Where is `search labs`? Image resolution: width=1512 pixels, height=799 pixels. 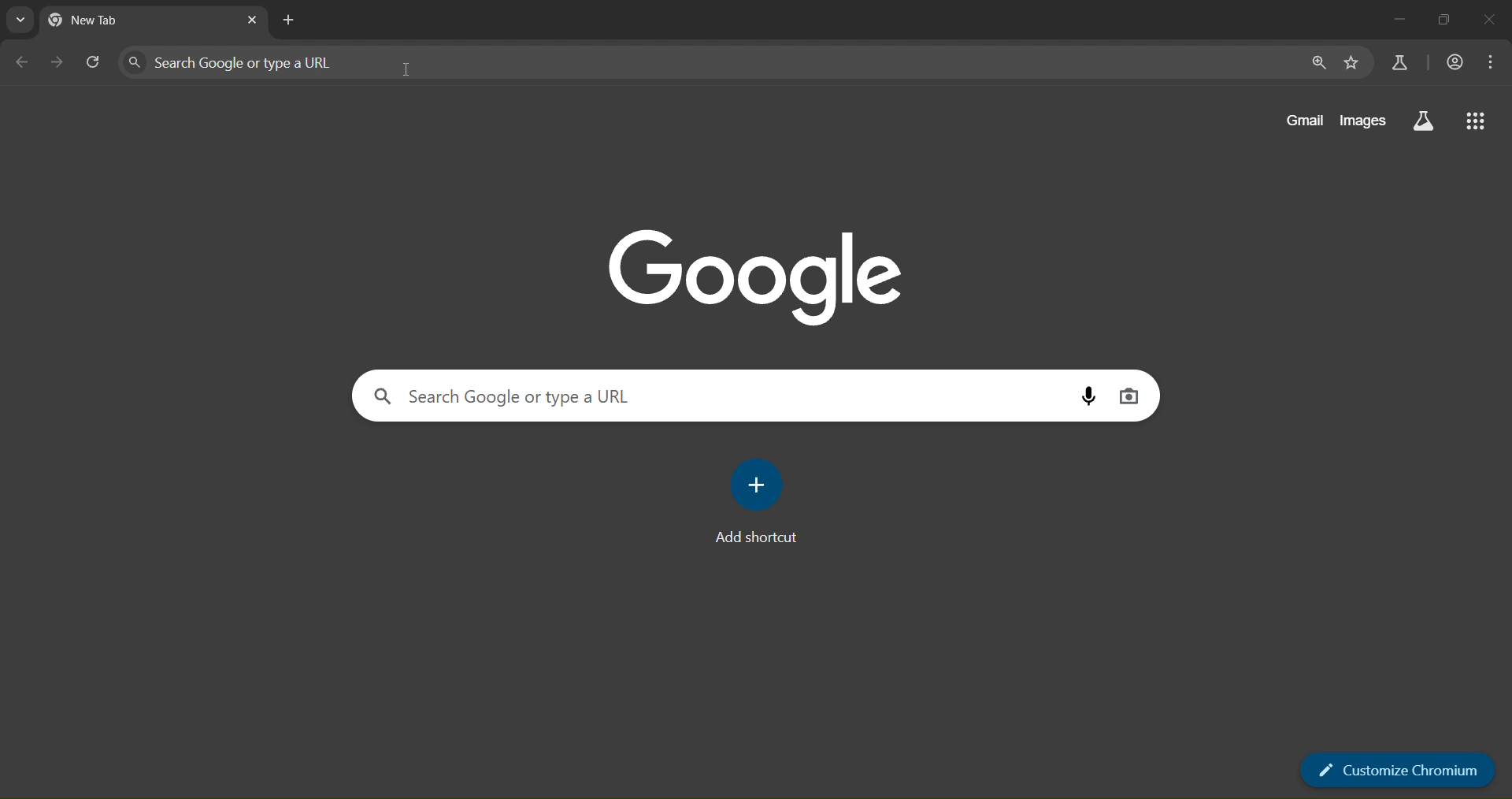
search labs is located at coordinates (1397, 61).